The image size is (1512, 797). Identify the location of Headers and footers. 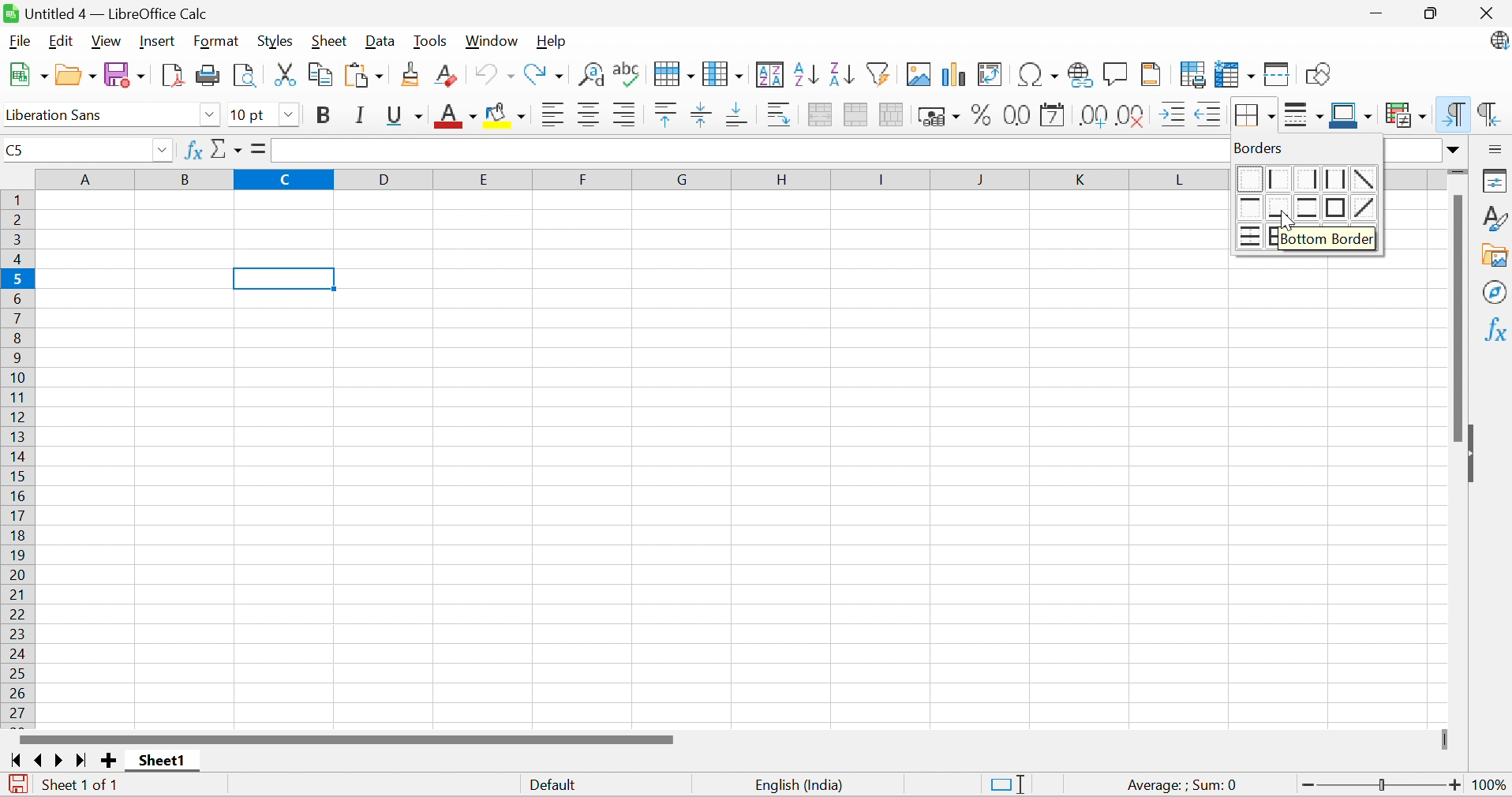
(1151, 73).